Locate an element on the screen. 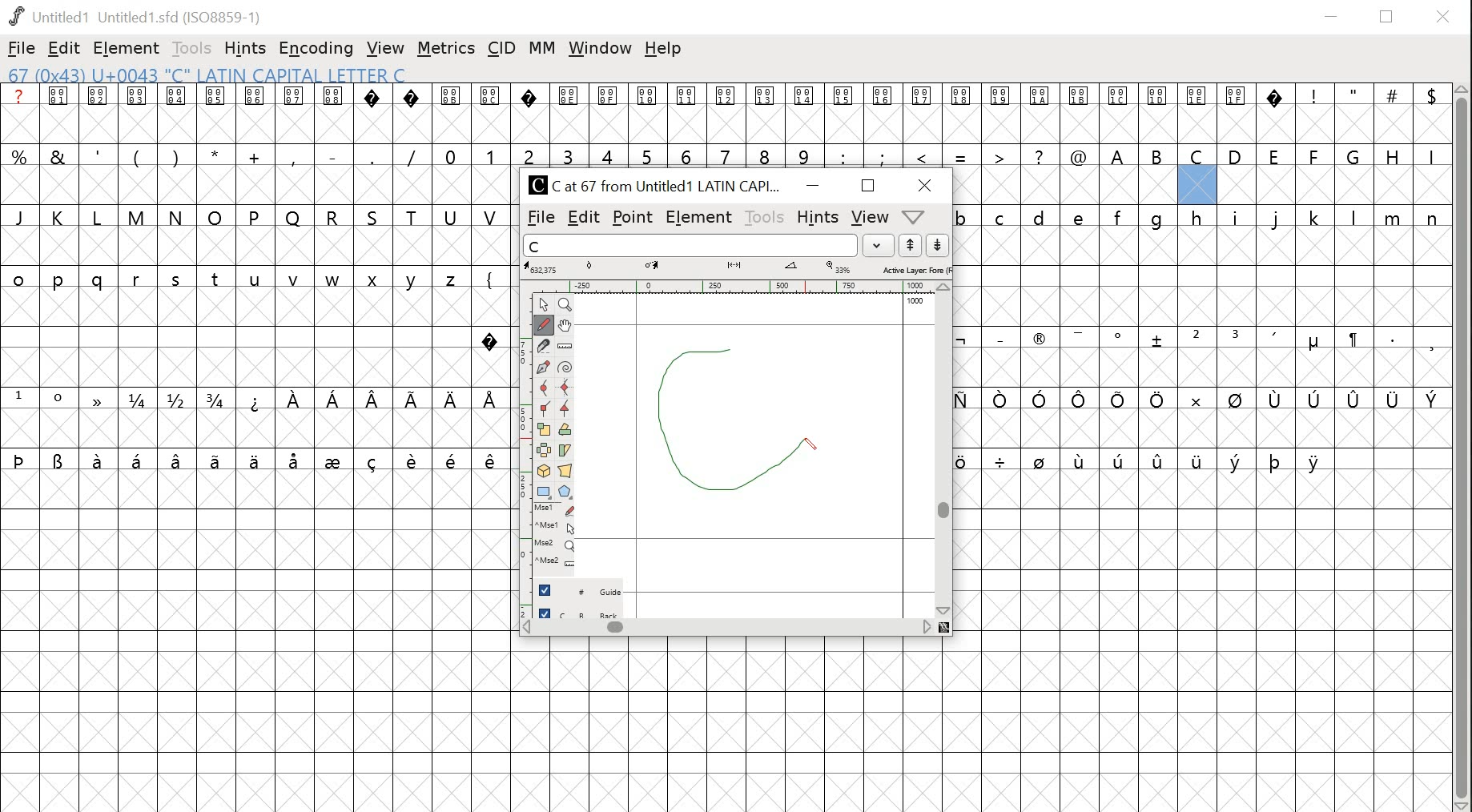  pan is located at coordinates (566, 326).